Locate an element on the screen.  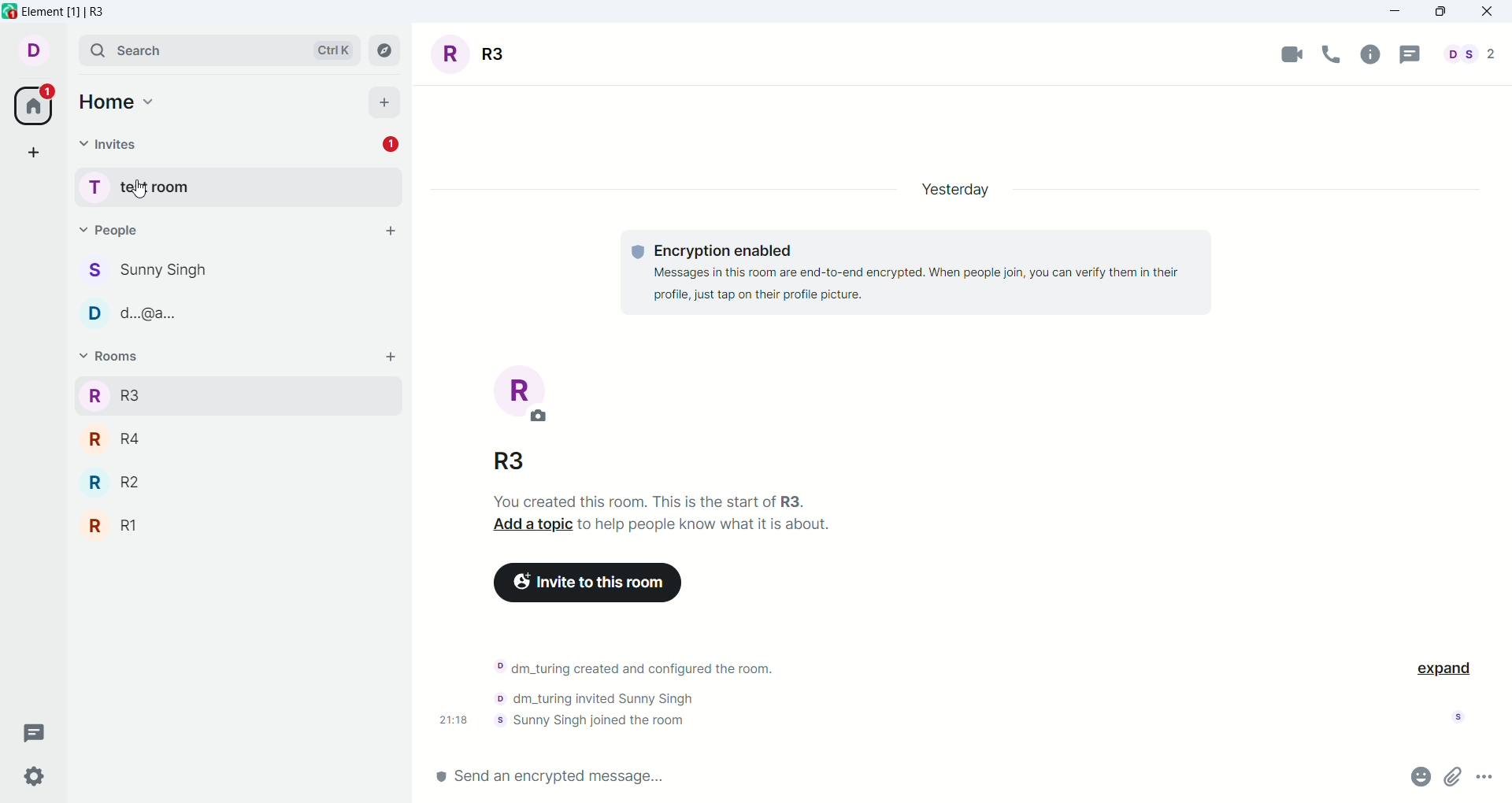
search is located at coordinates (214, 47).